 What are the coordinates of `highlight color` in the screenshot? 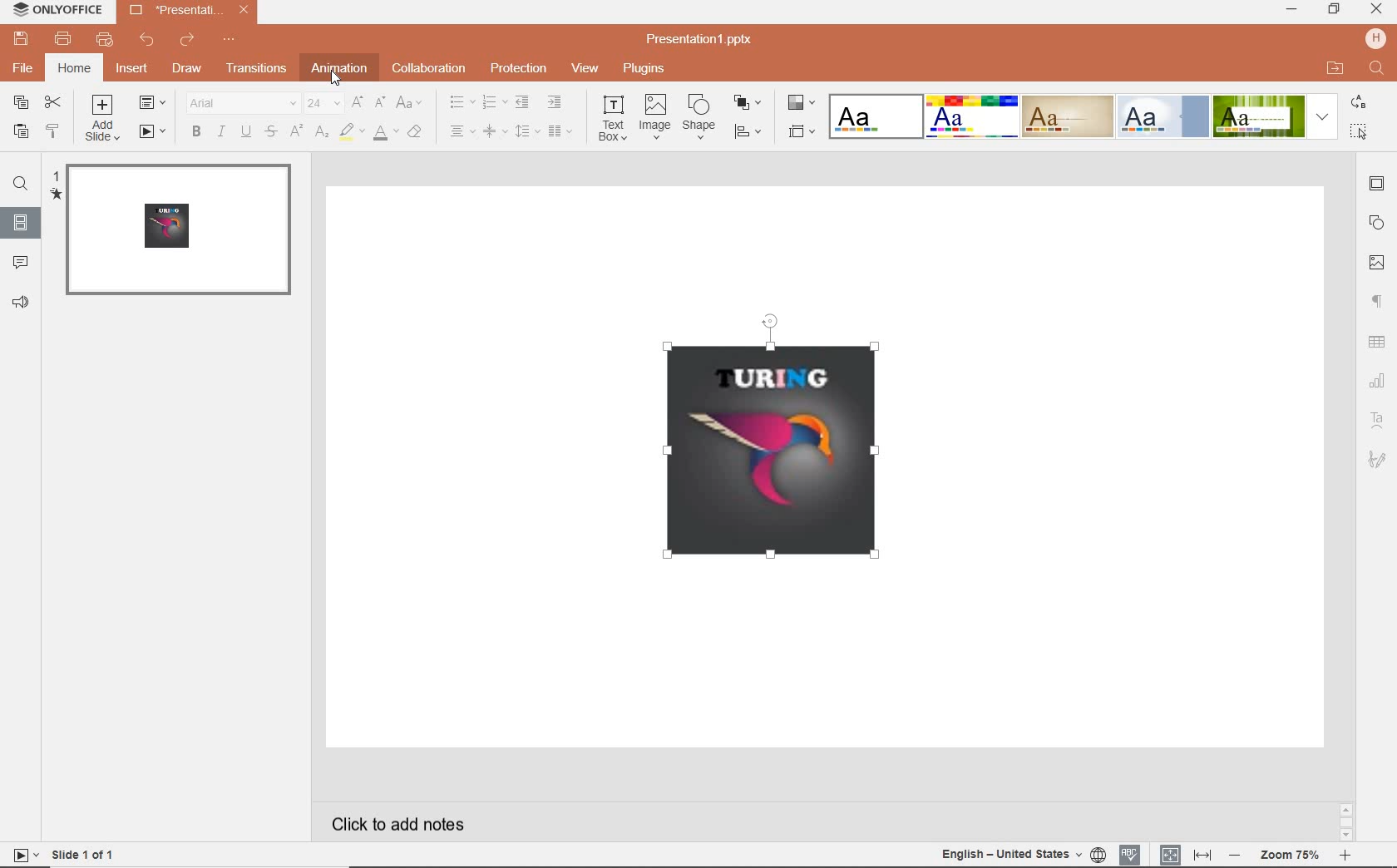 It's located at (350, 132).